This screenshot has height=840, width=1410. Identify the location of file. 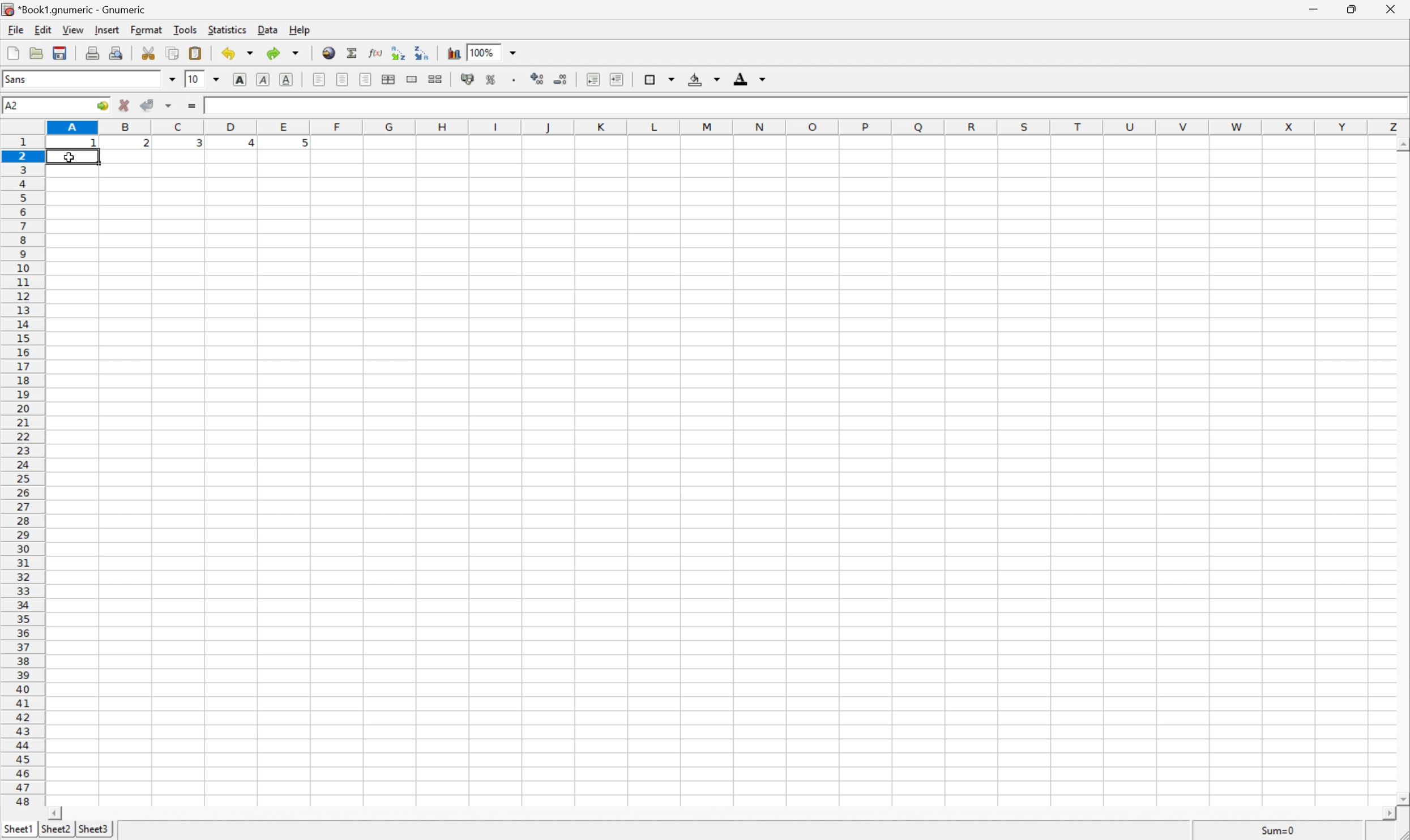
(11, 29).